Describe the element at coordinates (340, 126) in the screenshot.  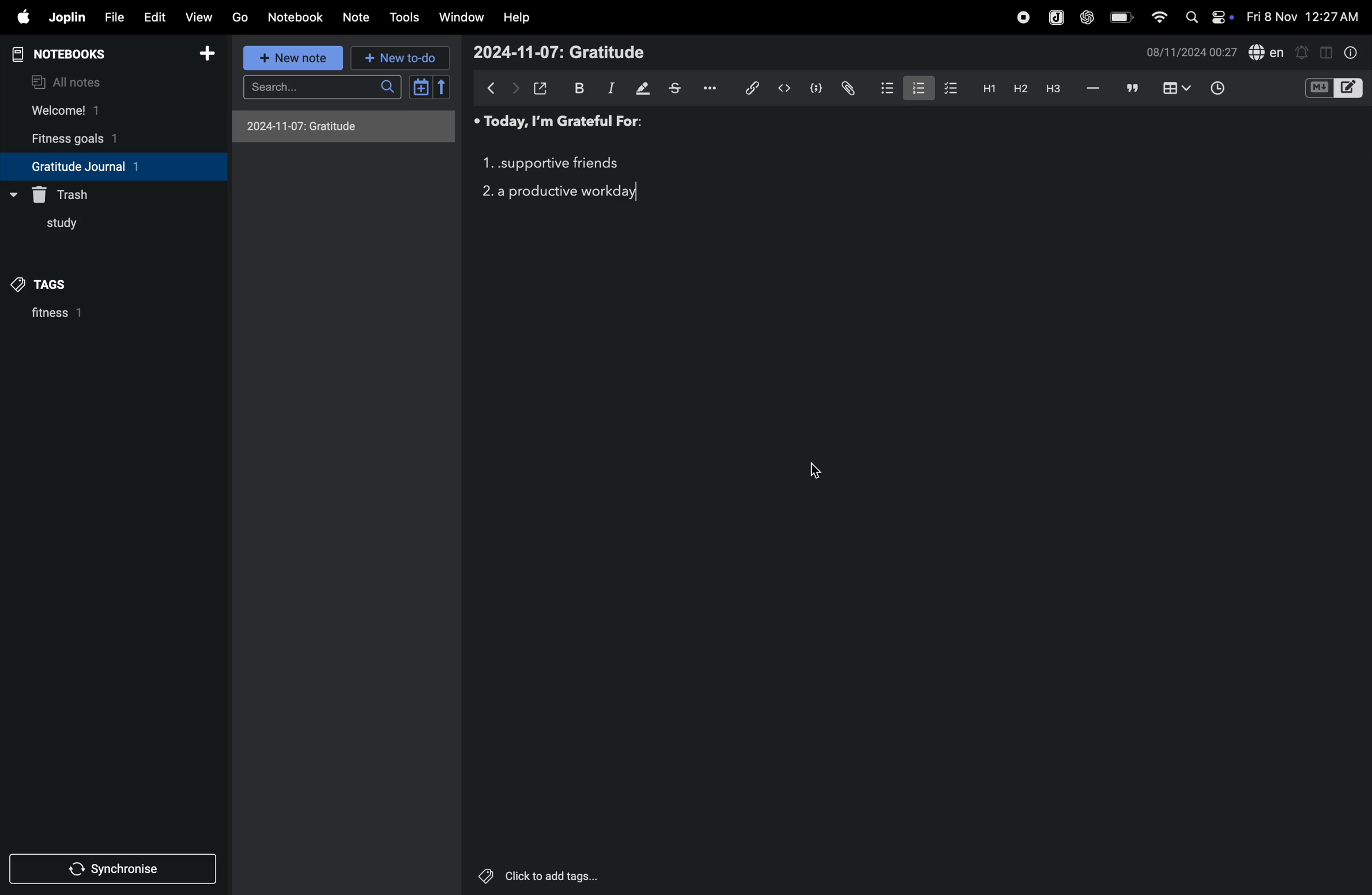
I see `2024-11-07: Gratitude` at that location.